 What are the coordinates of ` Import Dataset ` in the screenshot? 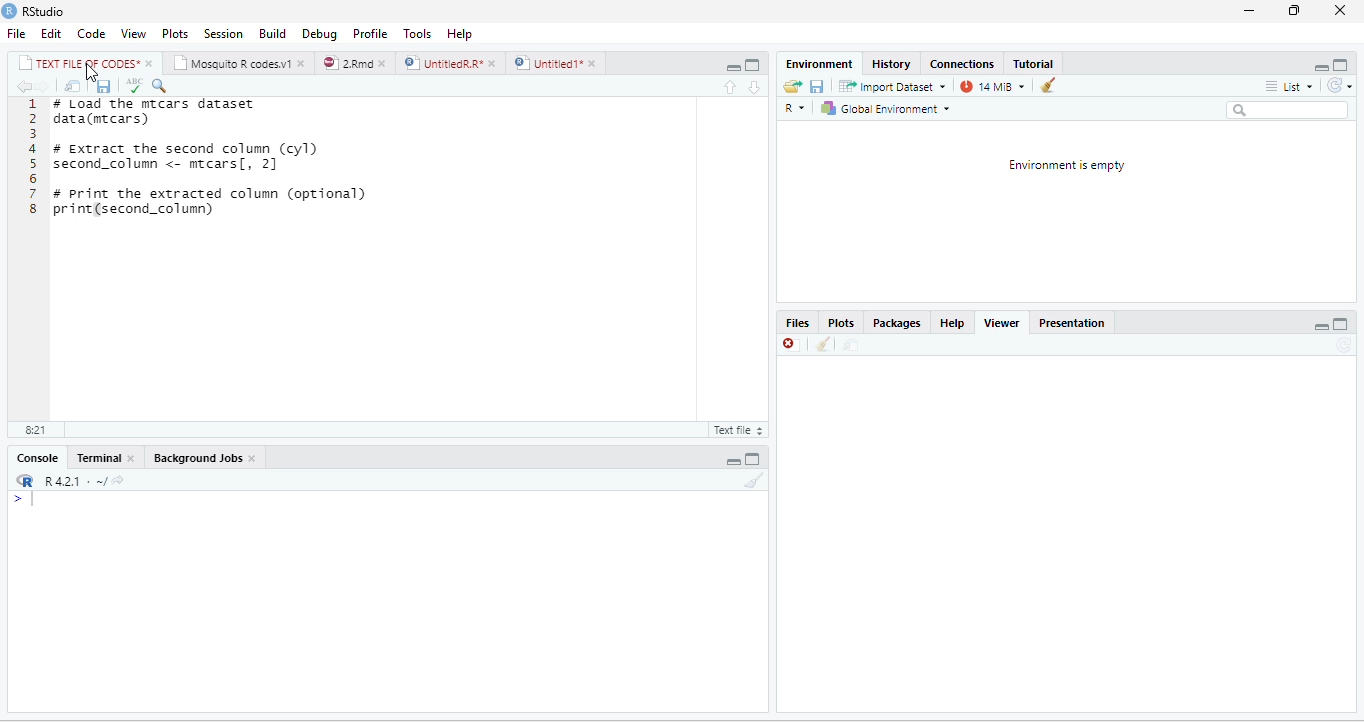 It's located at (893, 86).